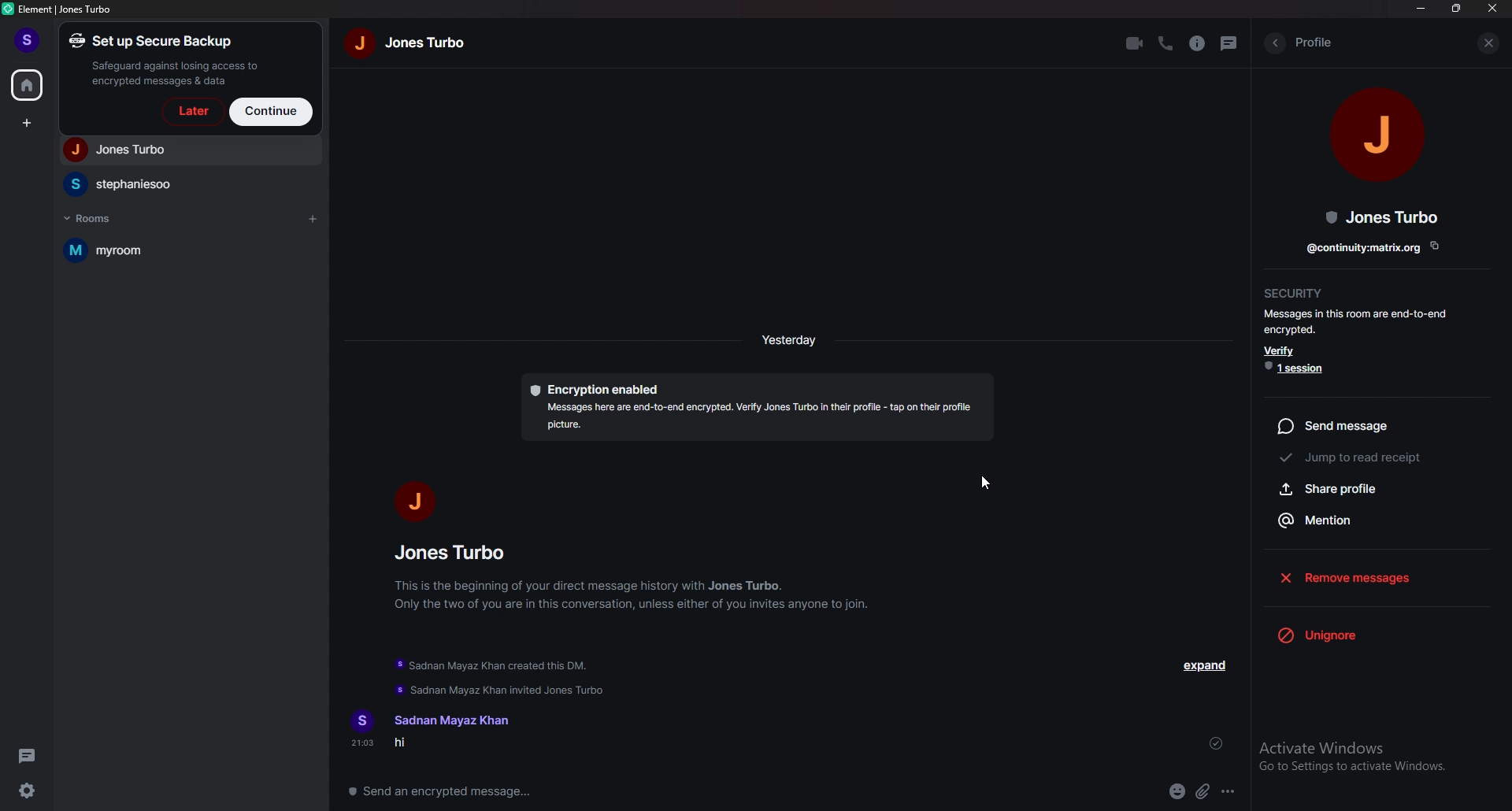  What do you see at coordinates (28, 83) in the screenshot?
I see `home` at bounding box center [28, 83].